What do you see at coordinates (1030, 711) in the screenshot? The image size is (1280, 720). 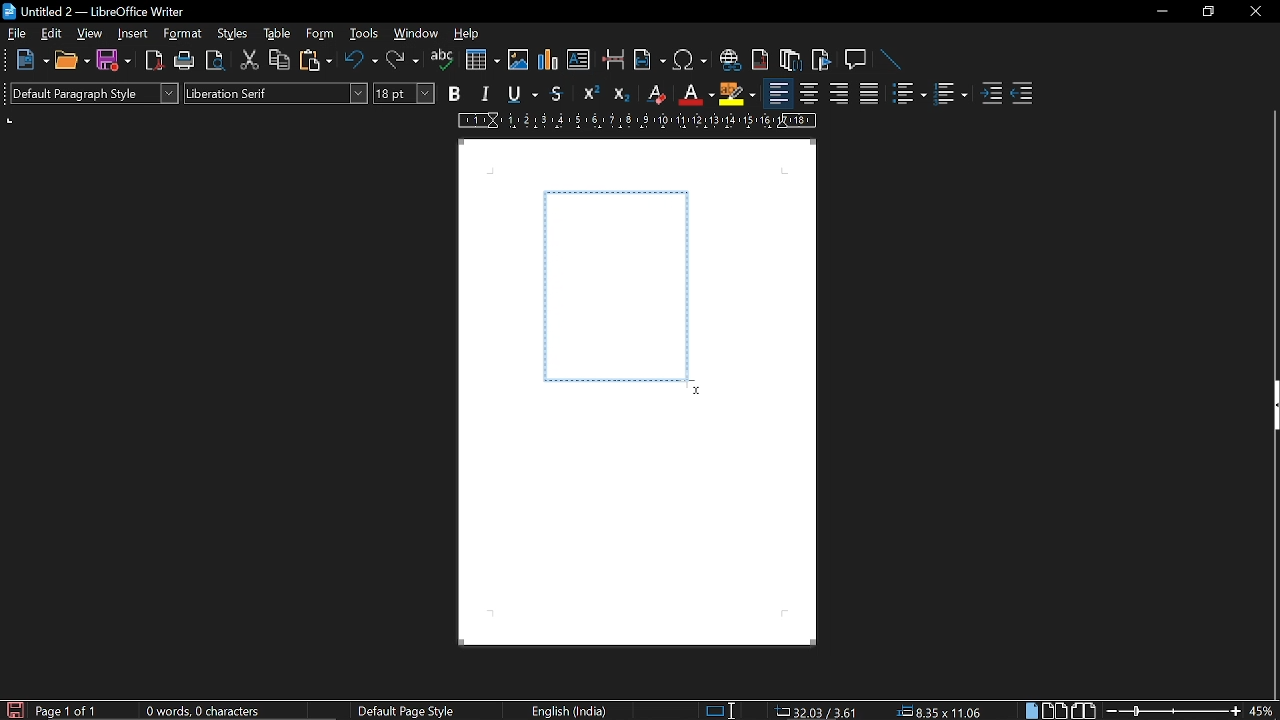 I see `single page view` at bounding box center [1030, 711].